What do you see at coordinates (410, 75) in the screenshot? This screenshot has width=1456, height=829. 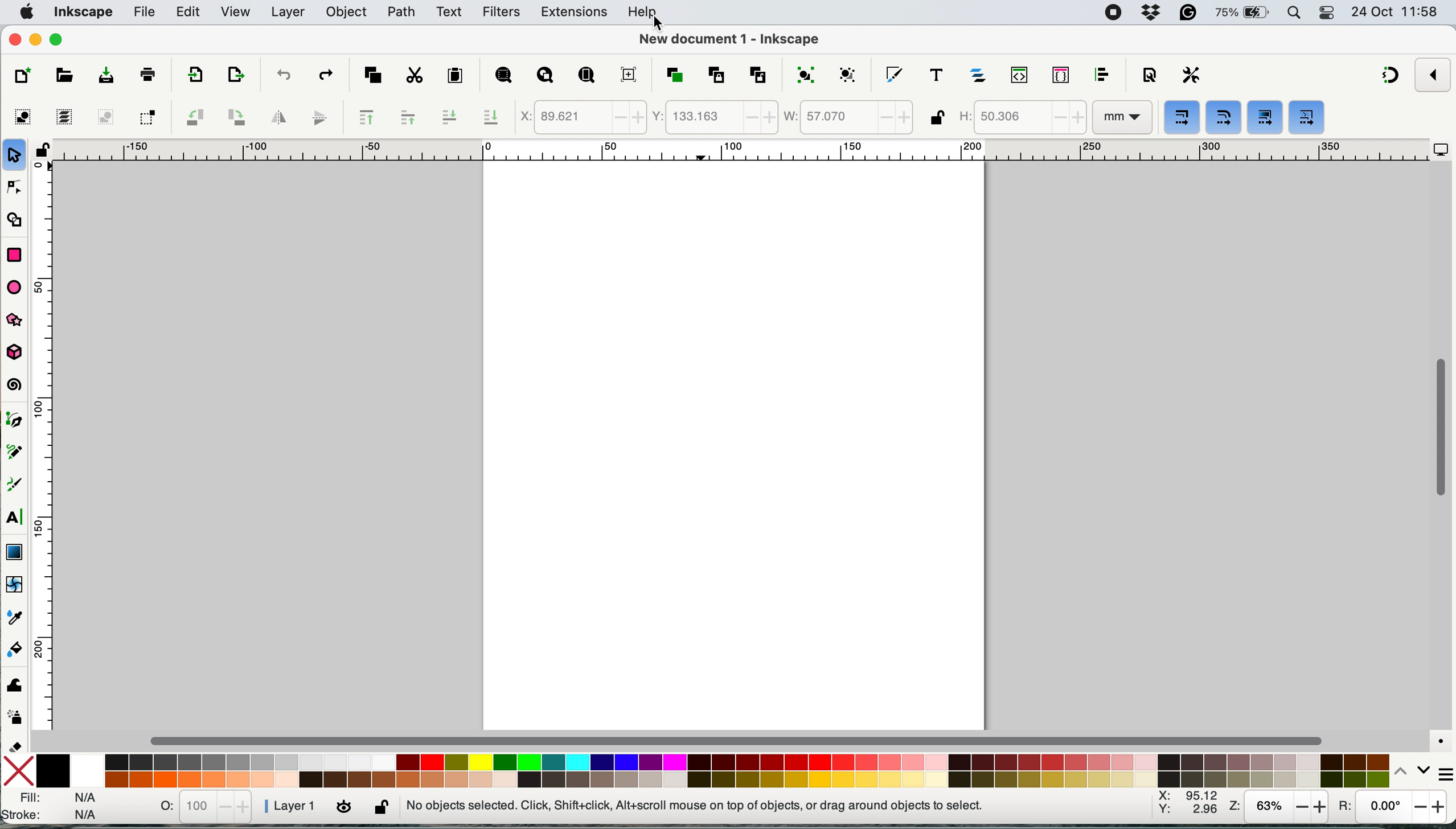 I see `cut` at bounding box center [410, 75].